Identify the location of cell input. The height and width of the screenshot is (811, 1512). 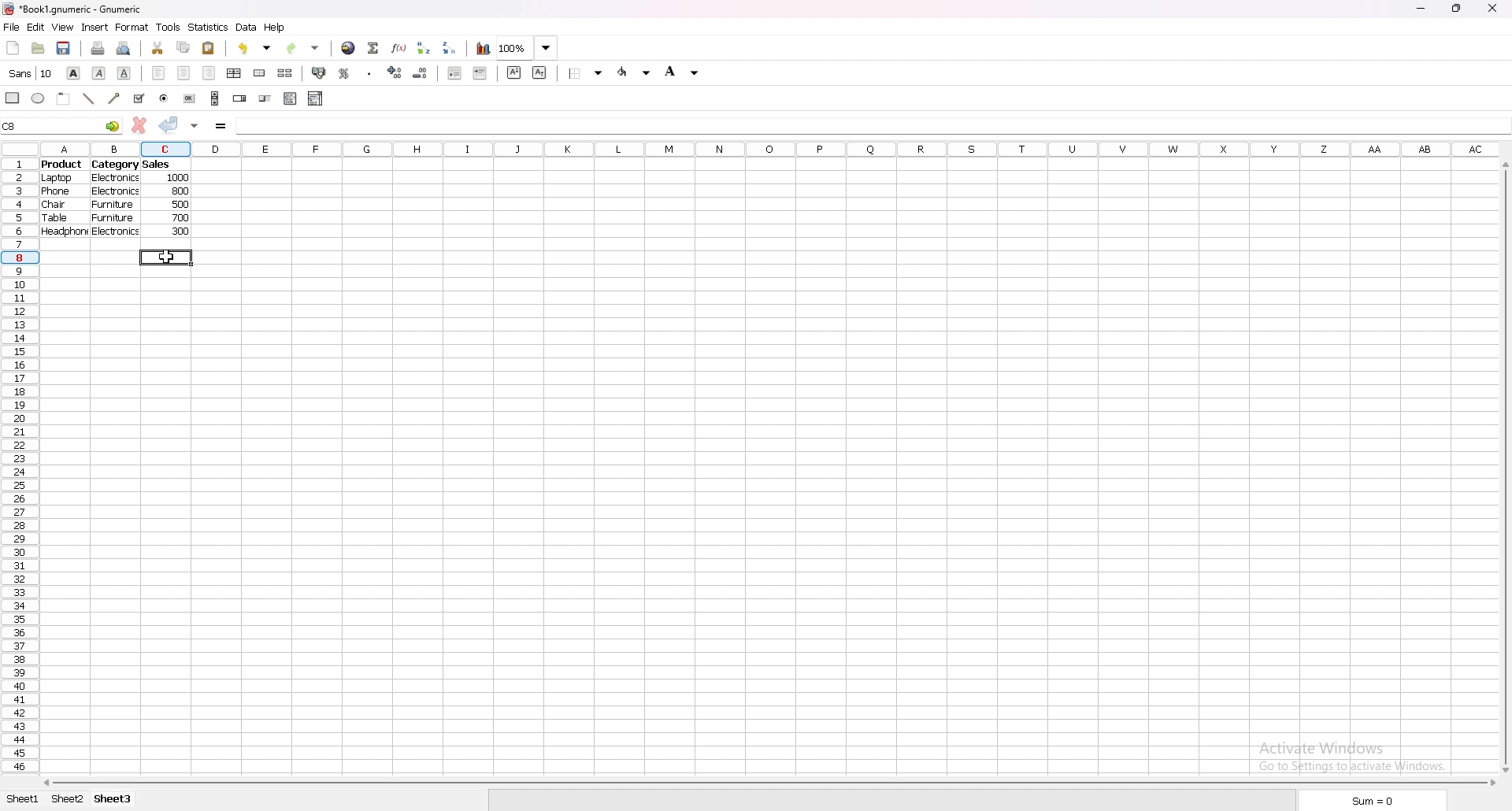
(867, 125).